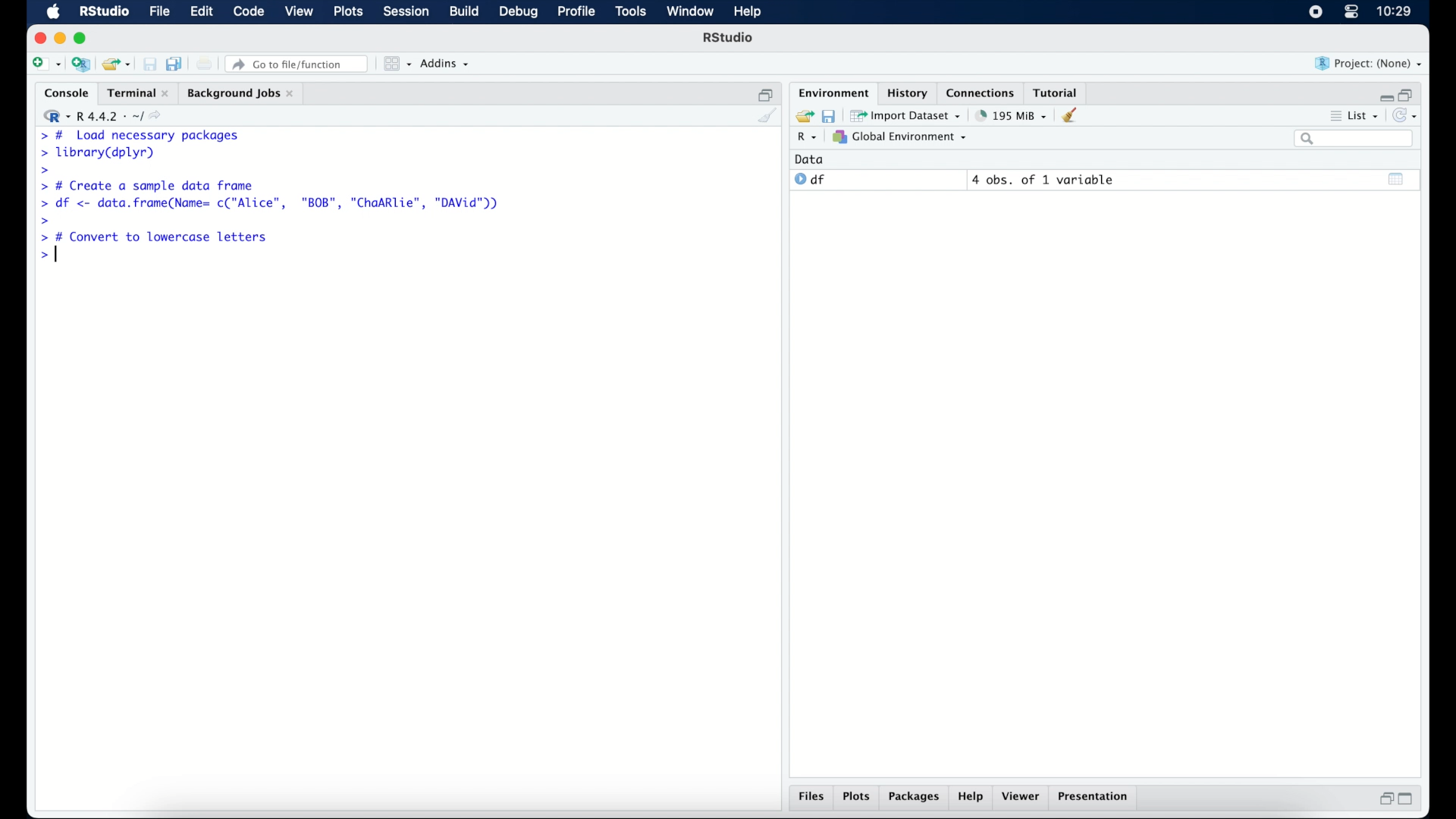  What do you see at coordinates (805, 139) in the screenshot?
I see `R` at bounding box center [805, 139].